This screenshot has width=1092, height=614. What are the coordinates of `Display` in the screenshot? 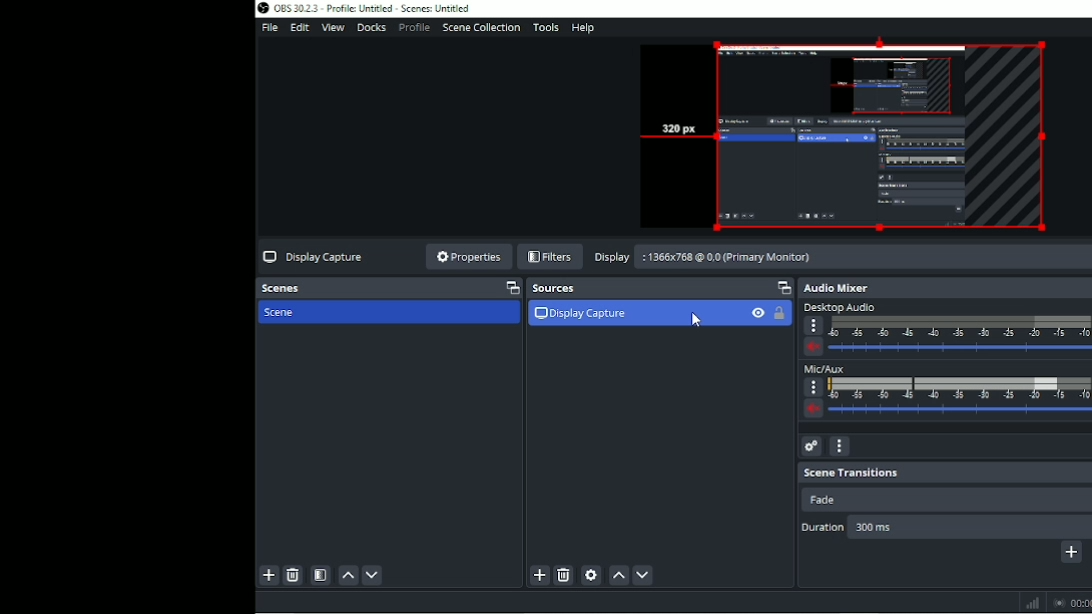 It's located at (838, 258).